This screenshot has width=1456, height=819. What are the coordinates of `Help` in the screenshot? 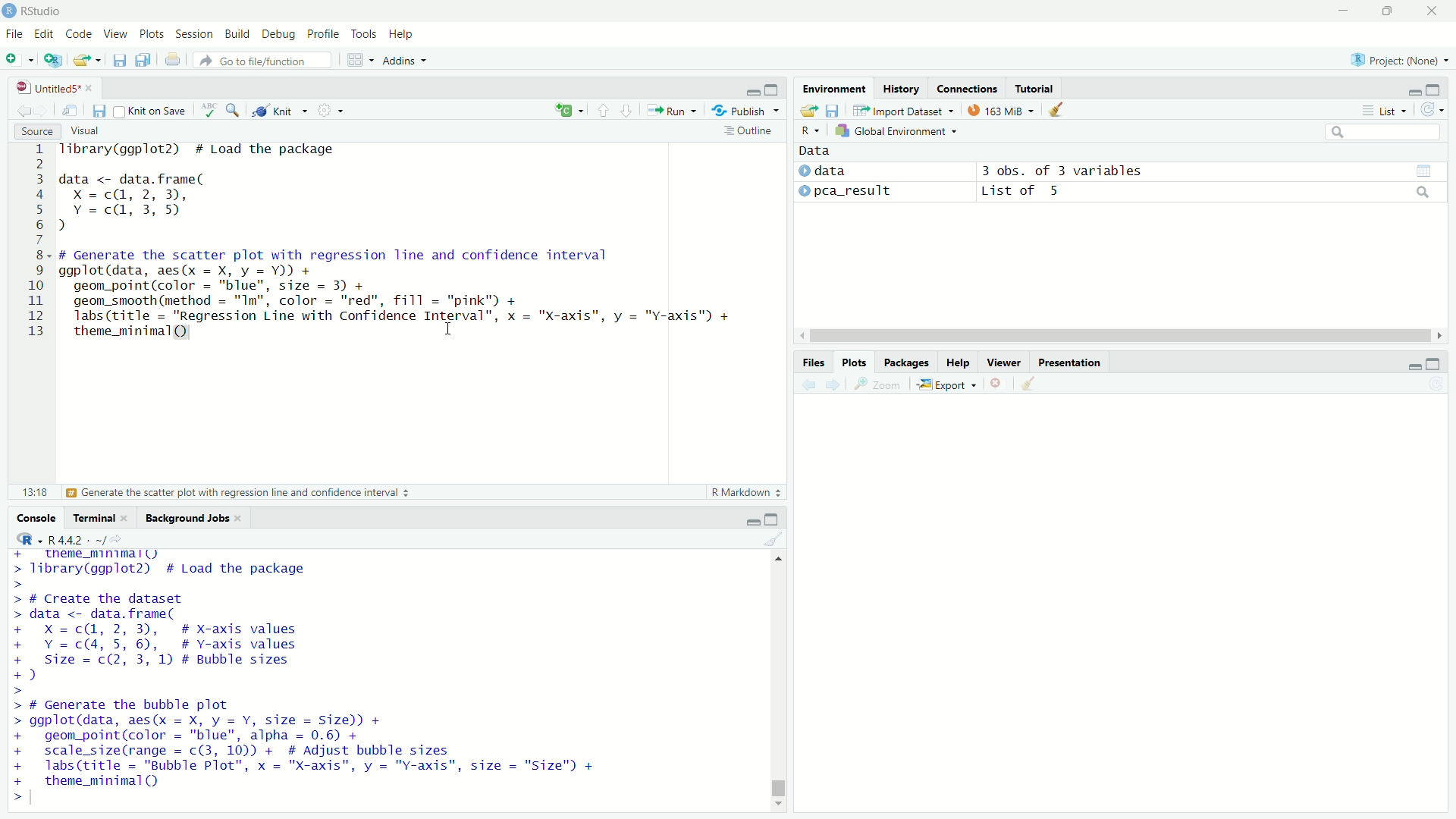 It's located at (958, 362).